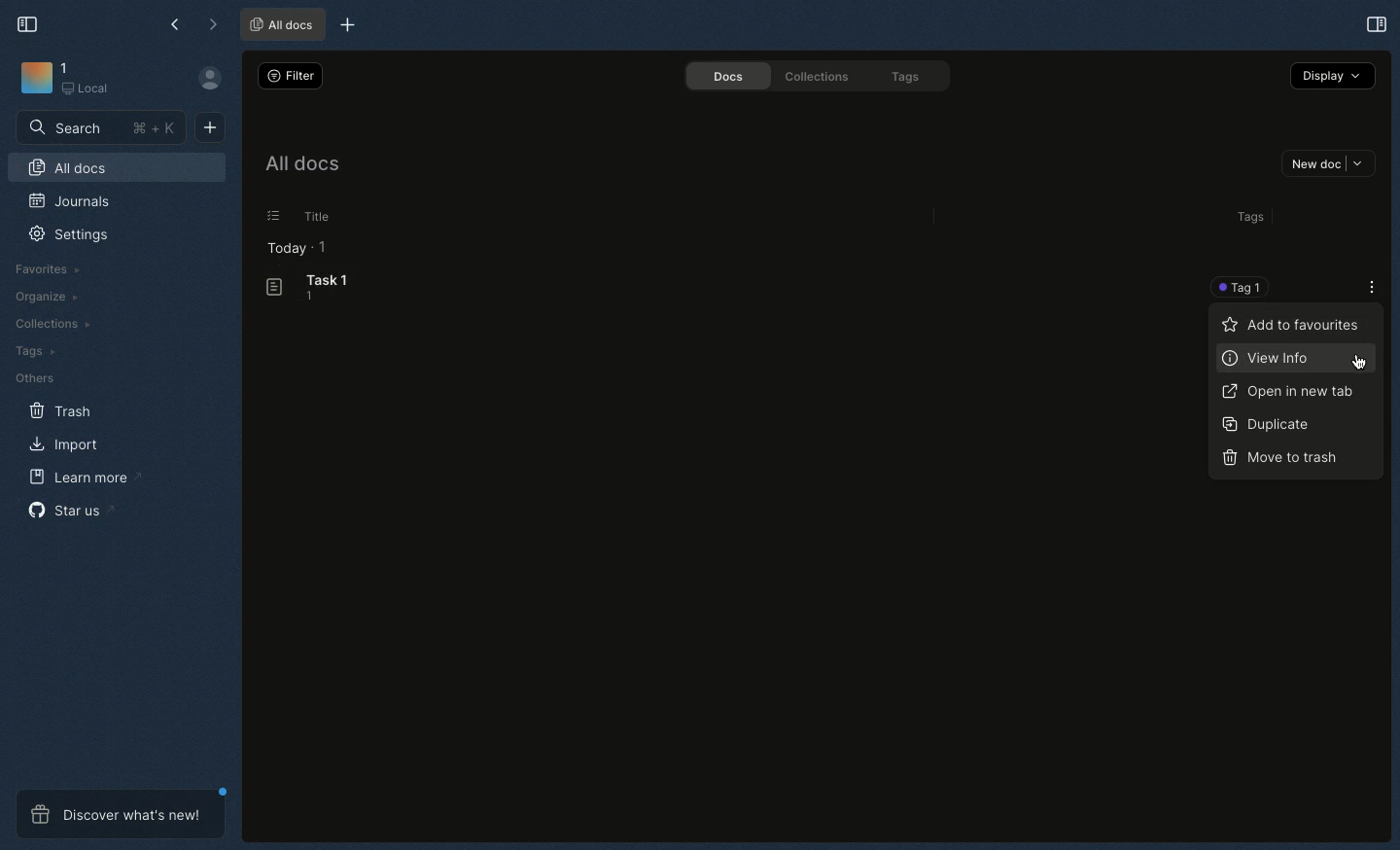 The width and height of the screenshot is (1400, 850). I want to click on Title, so click(318, 216).